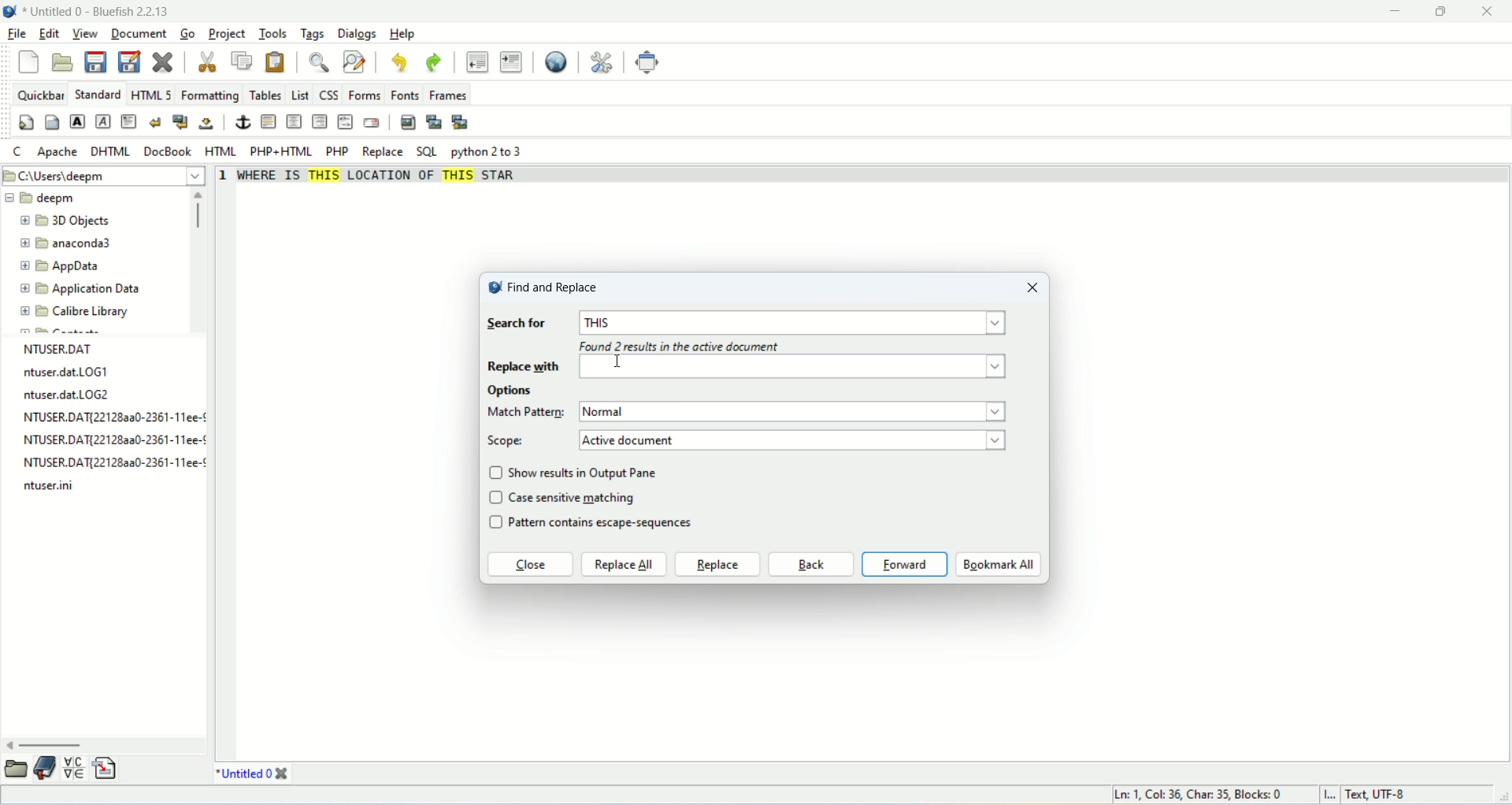  Describe the element at coordinates (554, 287) in the screenshot. I see `find and replace` at that location.